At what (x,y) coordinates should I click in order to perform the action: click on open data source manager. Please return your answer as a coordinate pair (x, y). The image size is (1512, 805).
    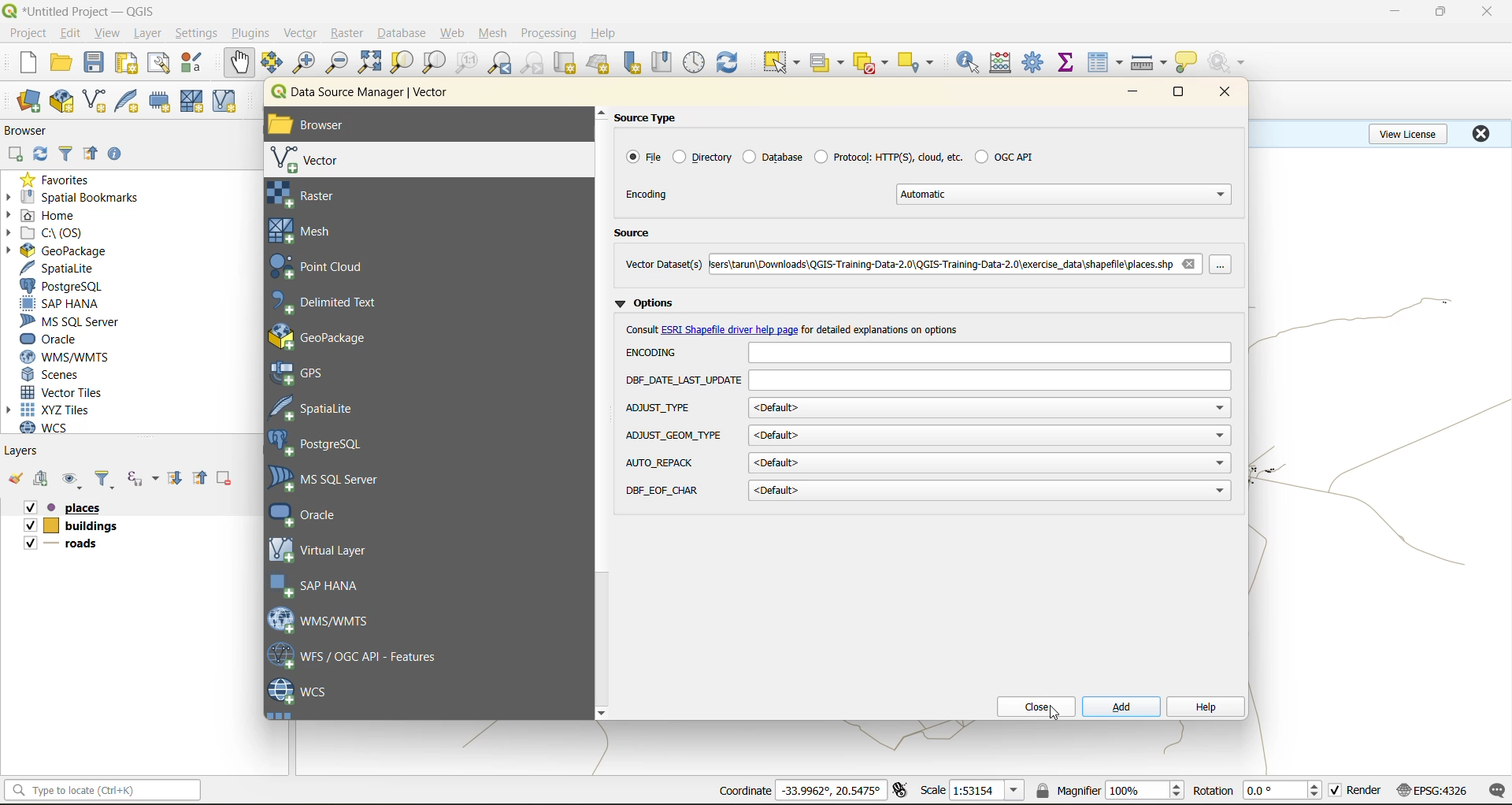
    Looking at the image, I should click on (28, 102).